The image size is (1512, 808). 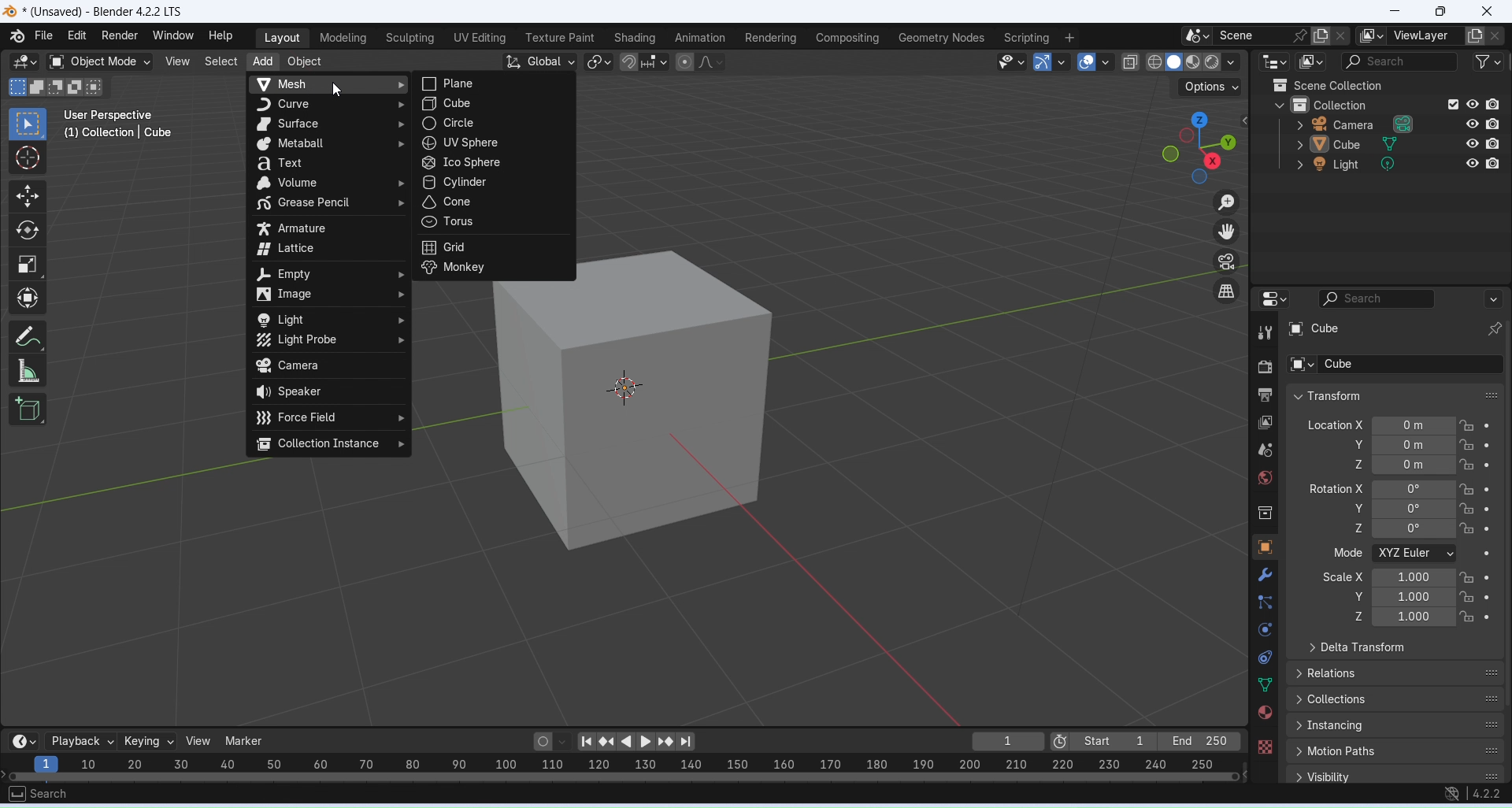 I want to click on monkey, so click(x=491, y=269).